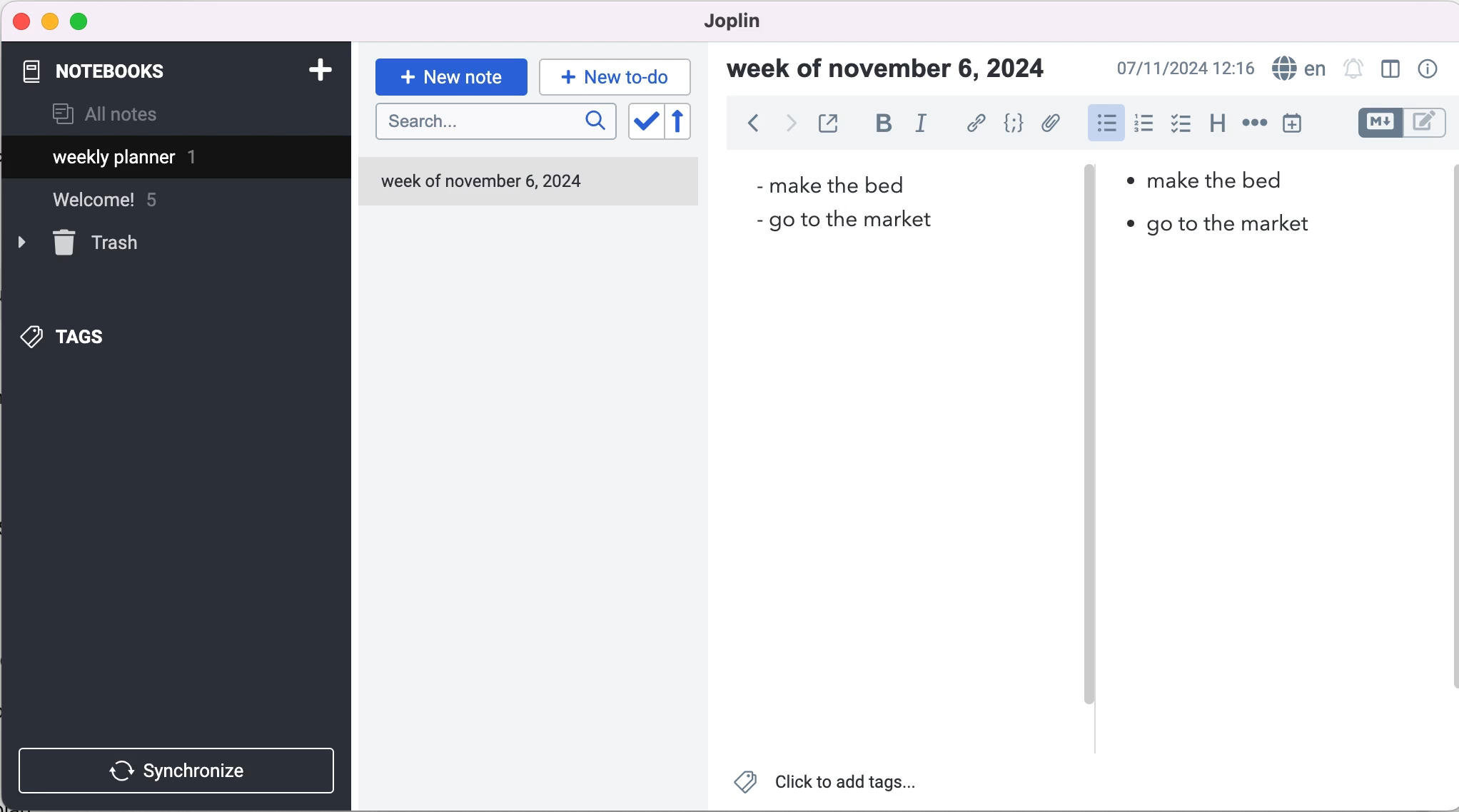 This screenshot has height=812, width=1459. What do you see at coordinates (1354, 71) in the screenshot?
I see `set alarm` at bounding box center [1354, 71].